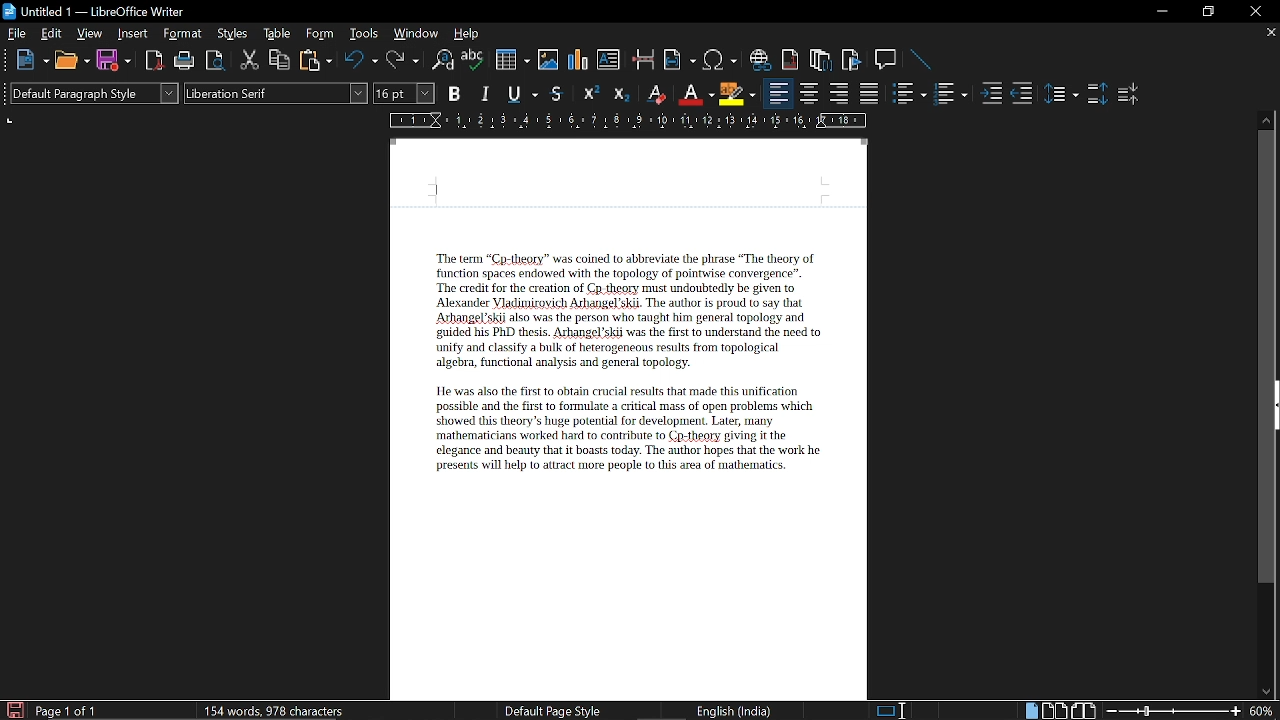  I want to click on Copy, so click(278, 60).